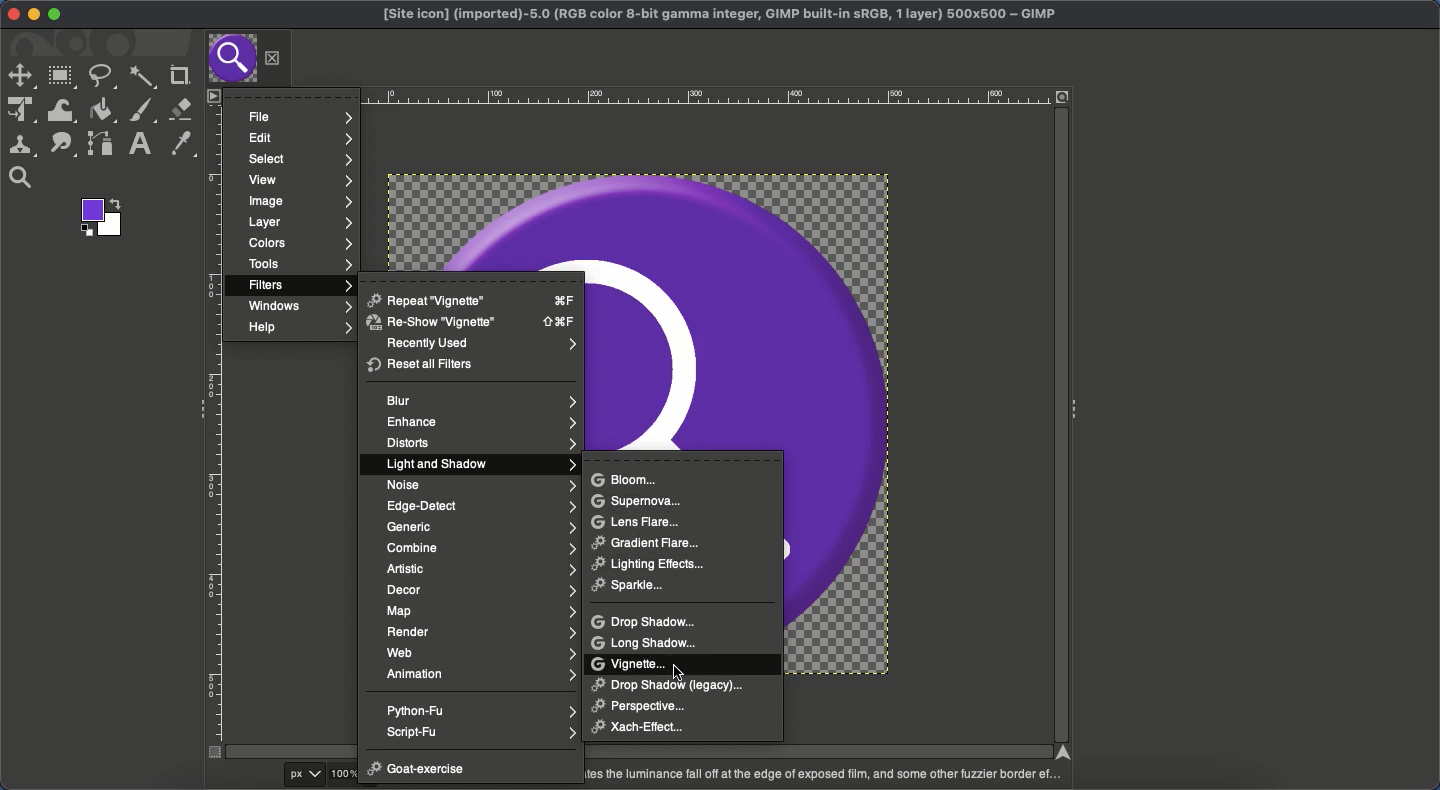 The image size is (1440, 790). What do you see at coordinates (20, 76) in the screenshot?
I see `Move tool` at bounding box center [20, 76].